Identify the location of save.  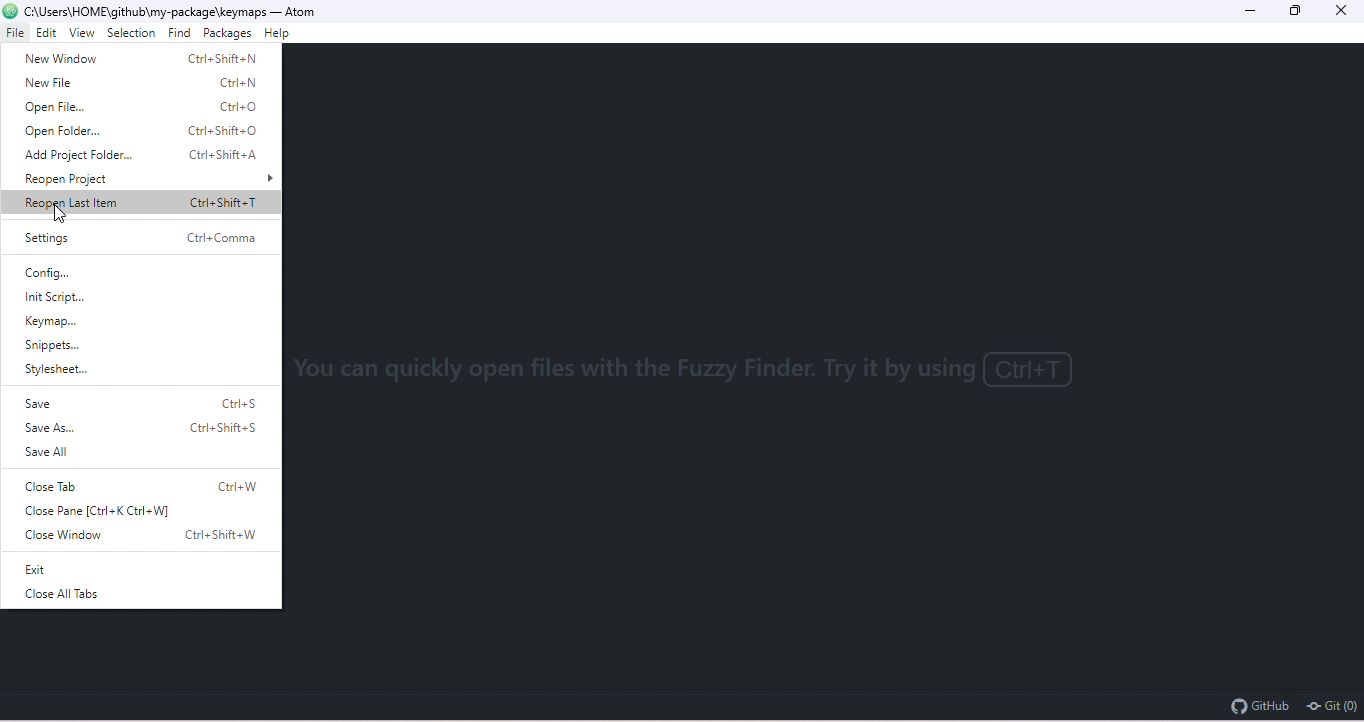
(144, 403).